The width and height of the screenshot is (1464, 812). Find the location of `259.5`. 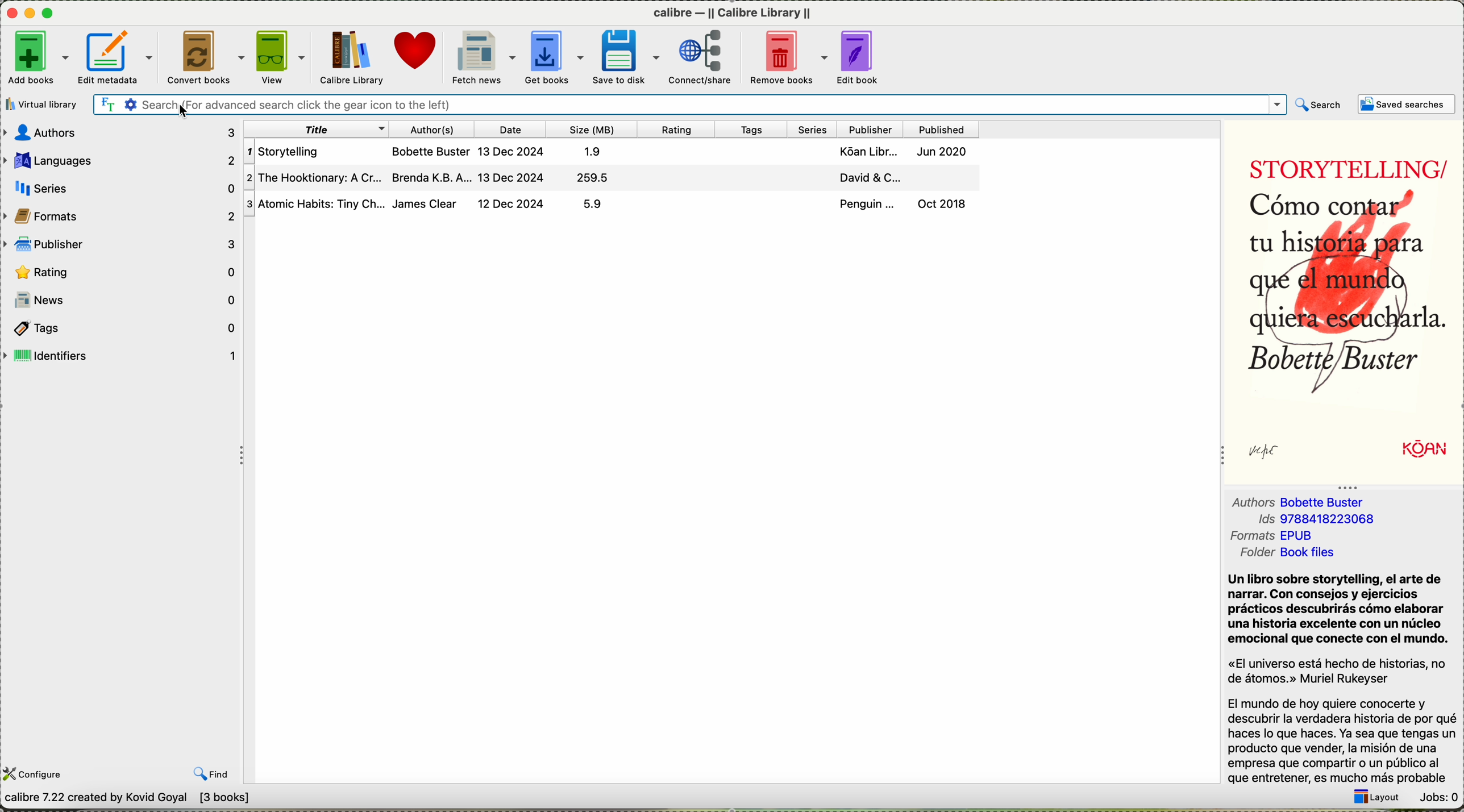

259.5 is located at coordinates (600, 178).